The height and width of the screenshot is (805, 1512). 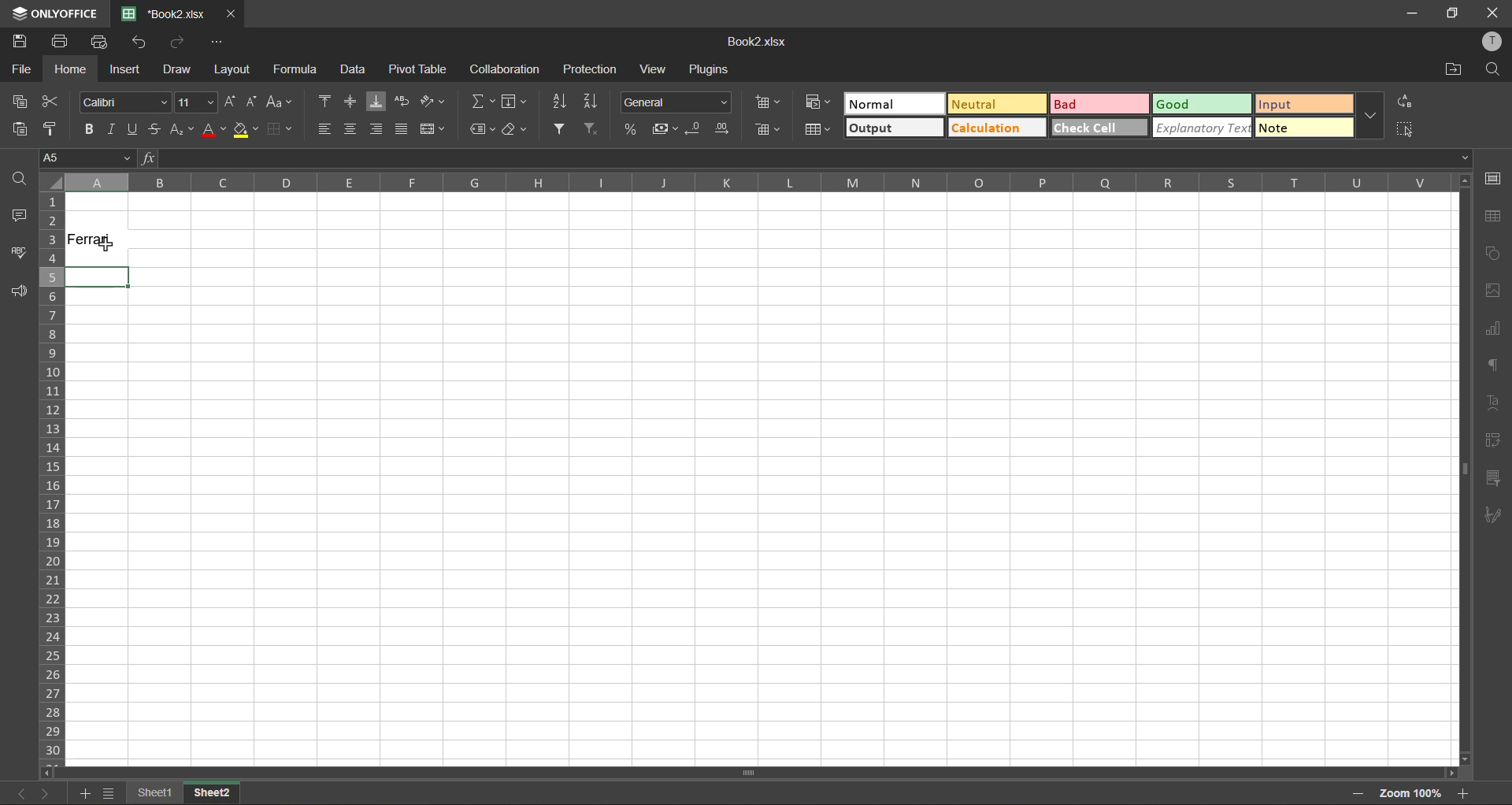 What do you see at coordinates (591, 71) in the screenshot?
I see `protection` at bounding box center [591, 71].